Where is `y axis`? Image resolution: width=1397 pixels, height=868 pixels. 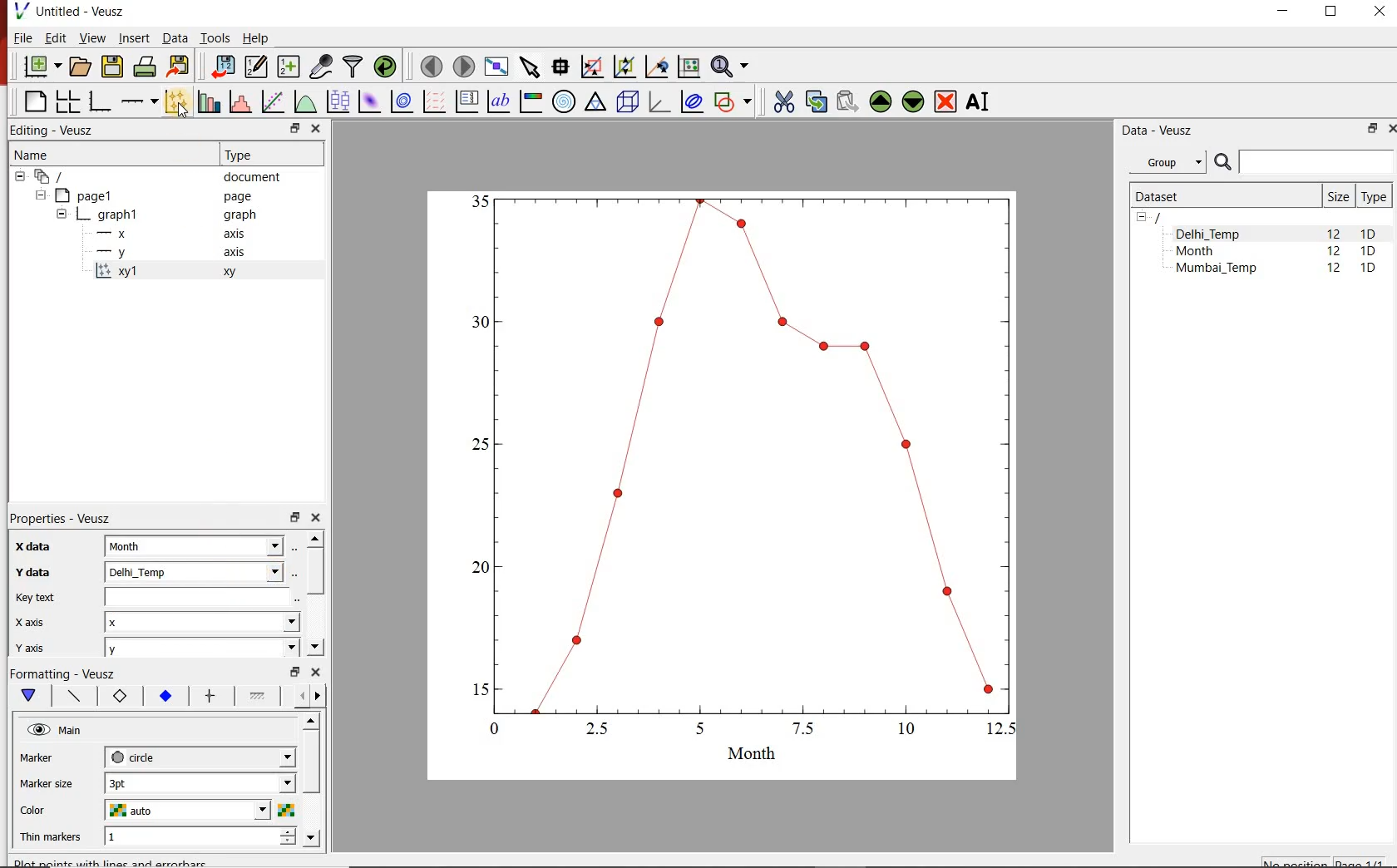
y axis is located at coordinates (28, 648).